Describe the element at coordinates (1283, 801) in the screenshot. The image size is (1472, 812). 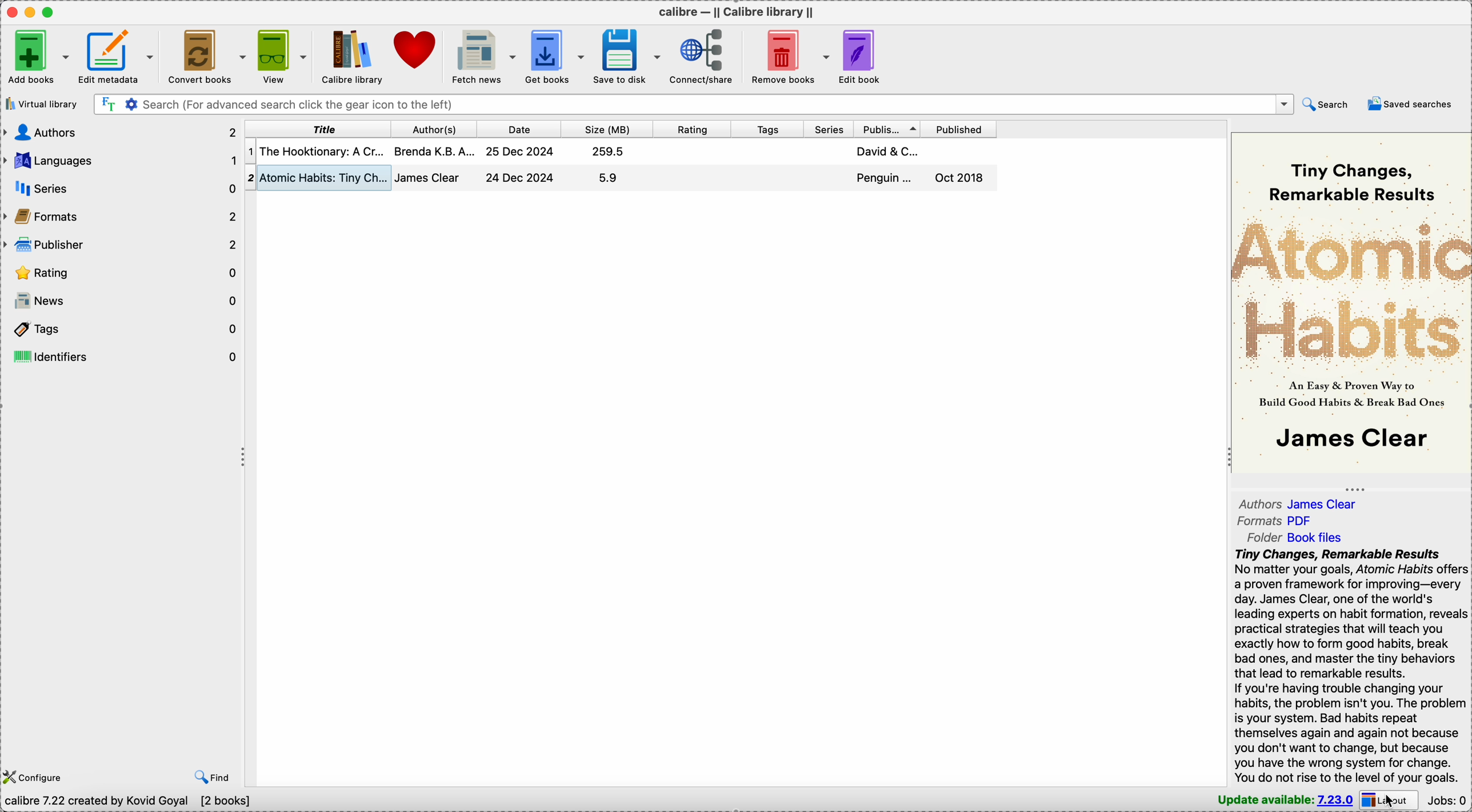
I see `update available: 7.23.0` at that location.